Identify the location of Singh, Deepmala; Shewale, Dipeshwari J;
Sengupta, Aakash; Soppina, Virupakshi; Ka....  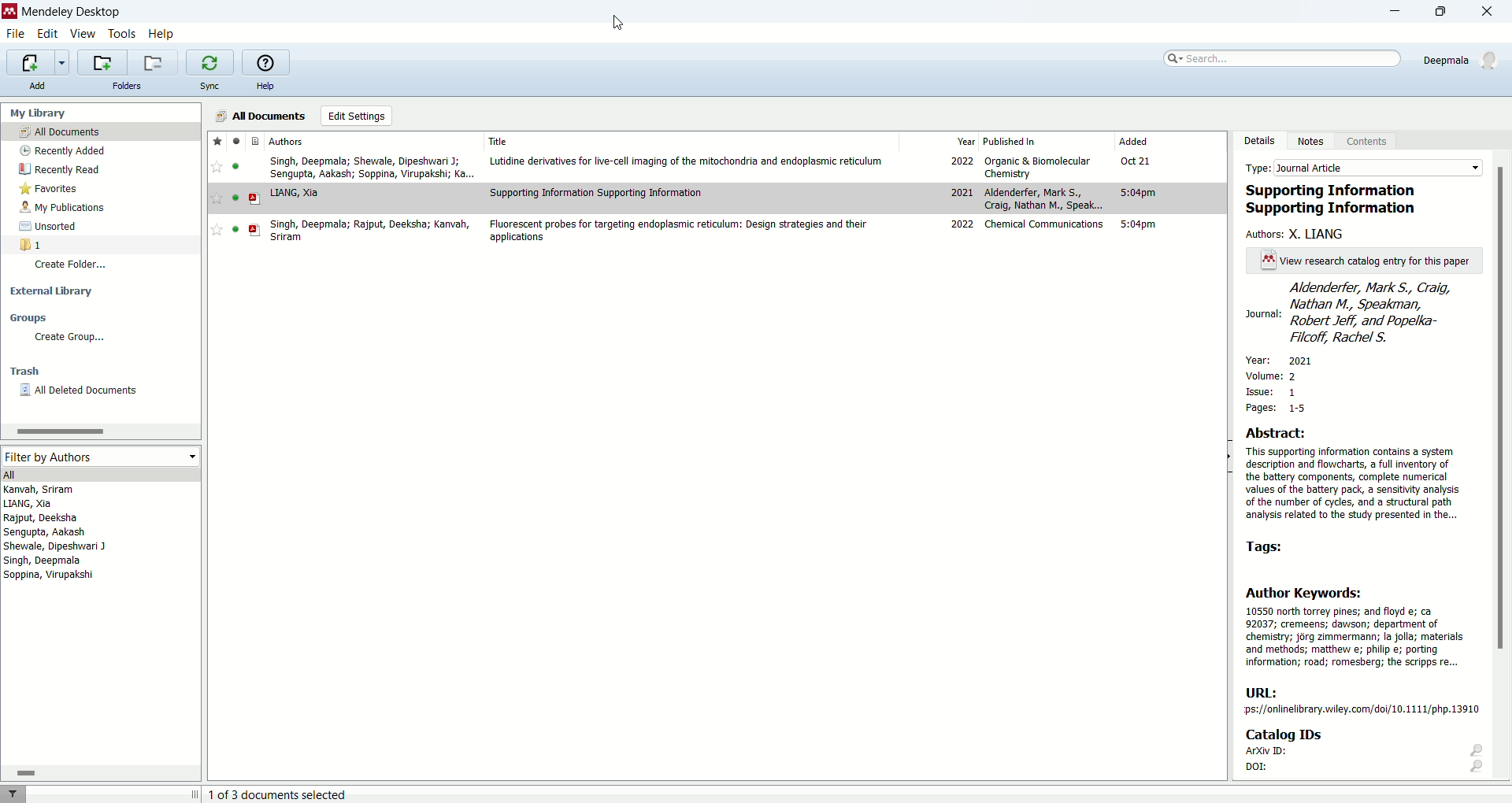
(372, 168).